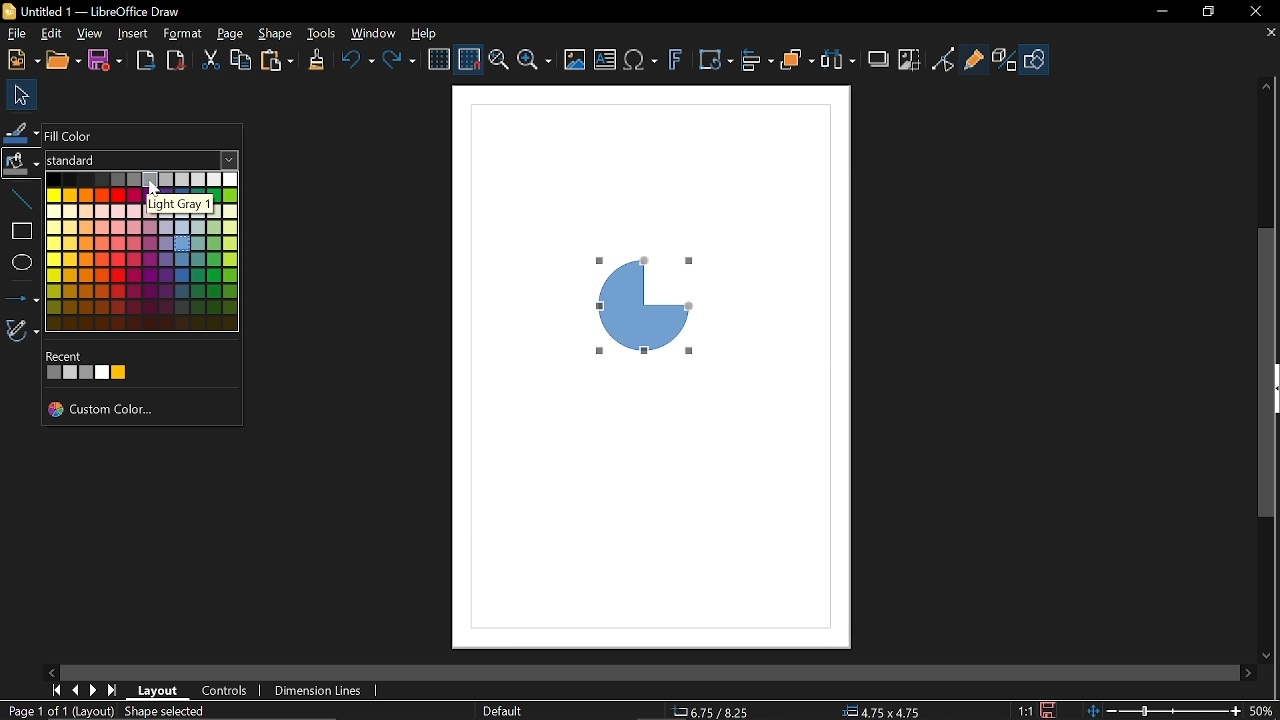 This screenshot has height=720, width=1280. What do you see at coordinates (95, 366) in the screenshot?
I see `Recent` at bounding box center [95, 366].